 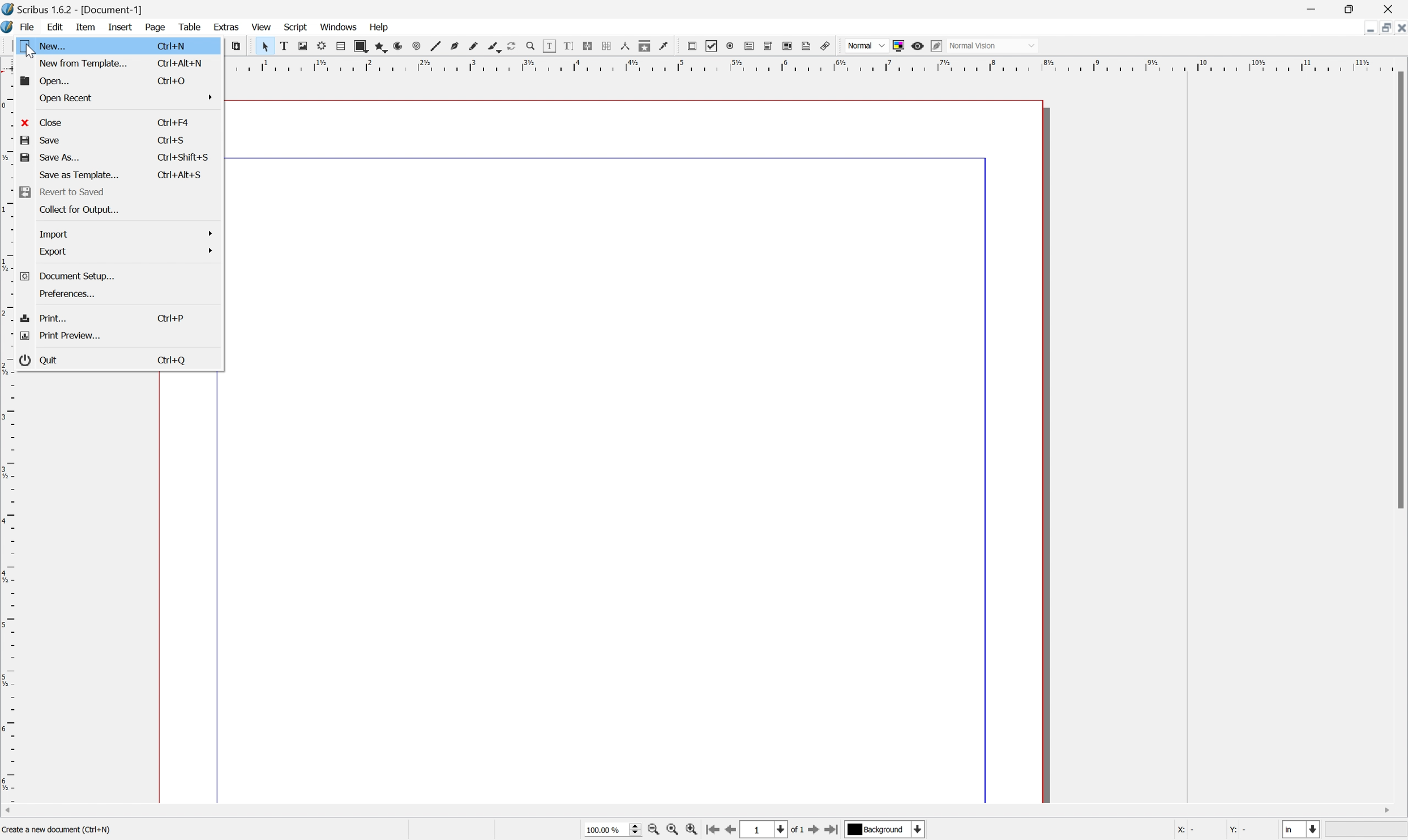 What do you see at coordinates (645, 46) in the screenshot?
I see `Copy item properties` at bounding box center [645, 46].